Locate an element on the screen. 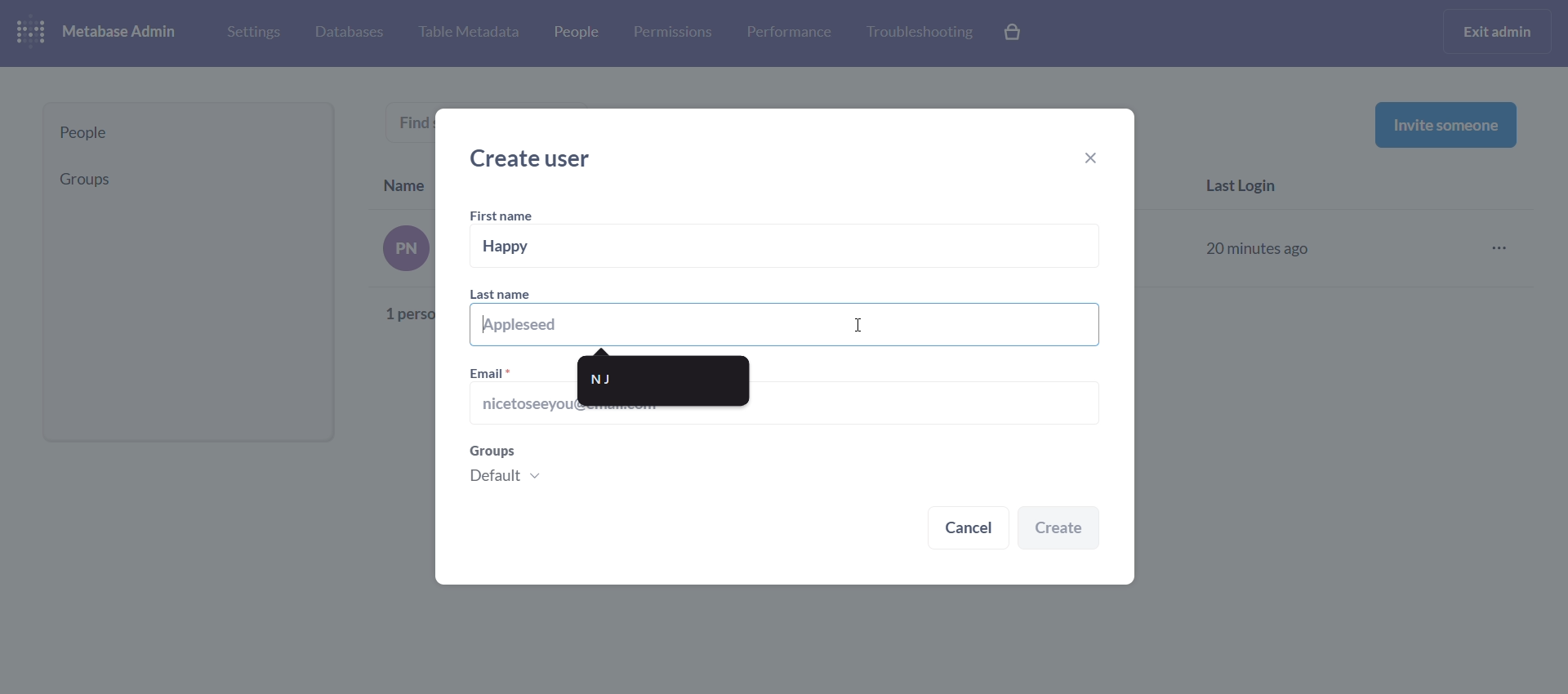 This screenshot has width=1568, height=694. people is located at coordinates (574, 35).